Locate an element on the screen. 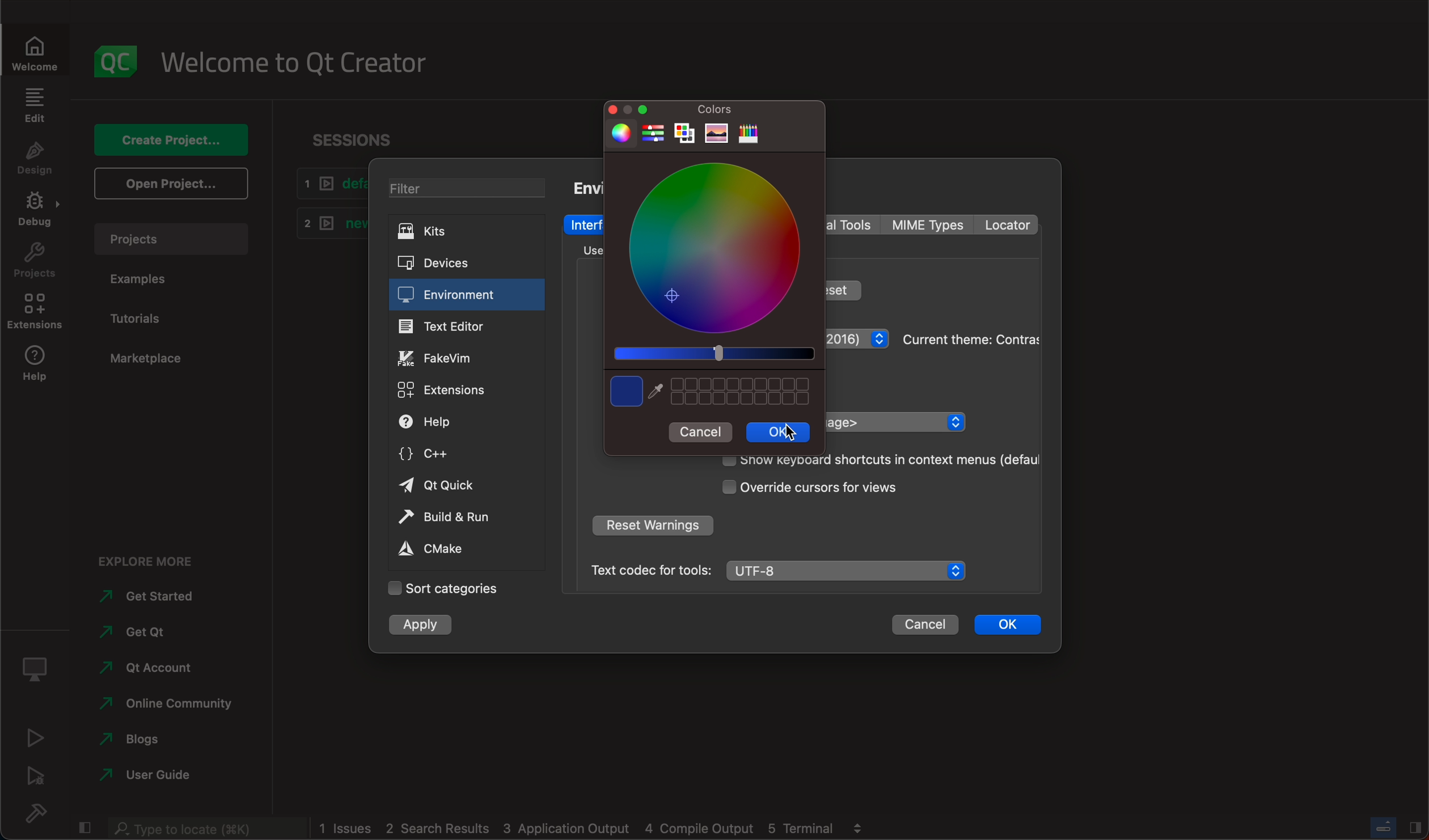 The image size is (1429, 840). tutorials is located at coordinates (151, 317).